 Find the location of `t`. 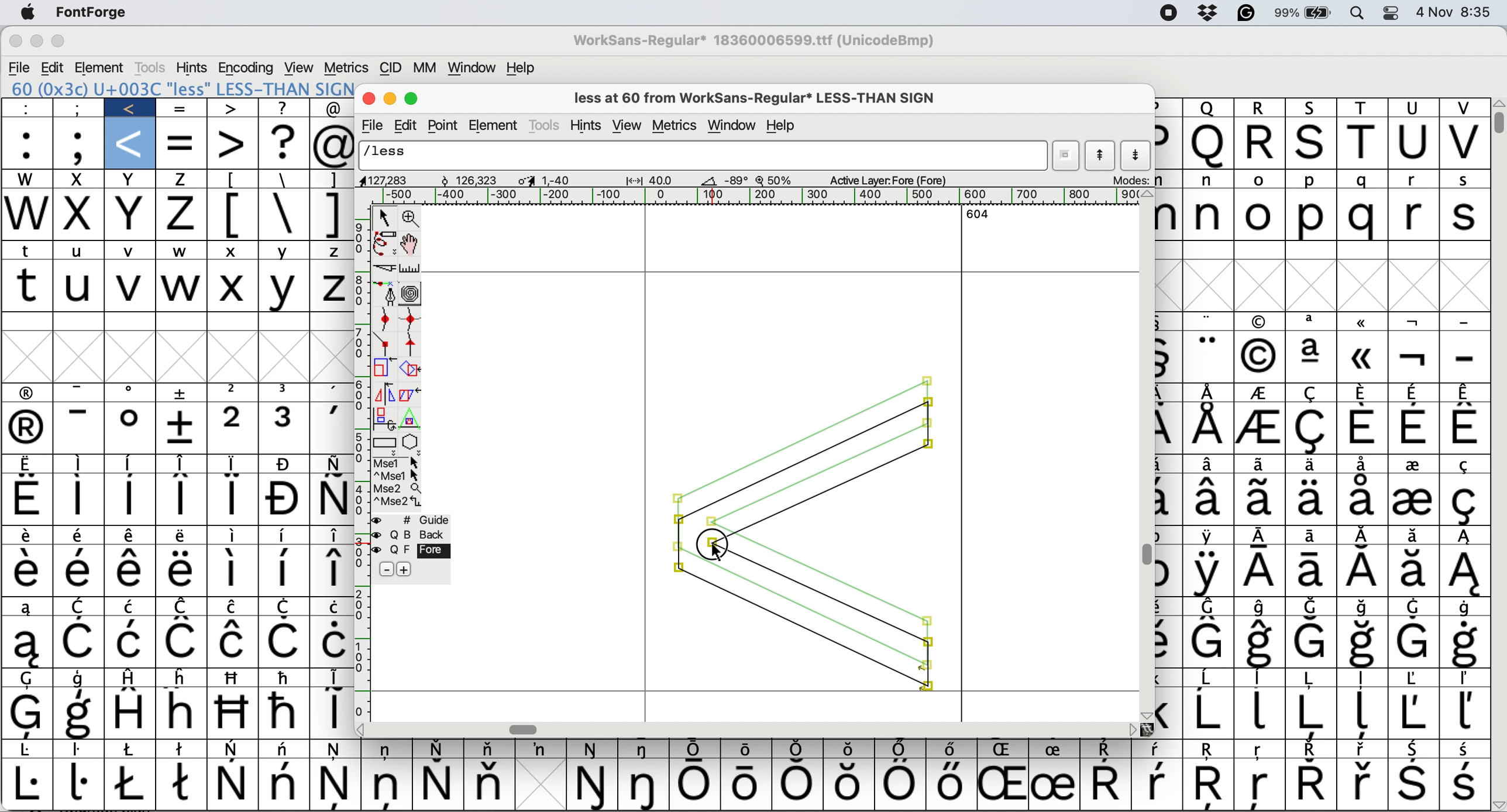

t is located at coordinates (29, 285).